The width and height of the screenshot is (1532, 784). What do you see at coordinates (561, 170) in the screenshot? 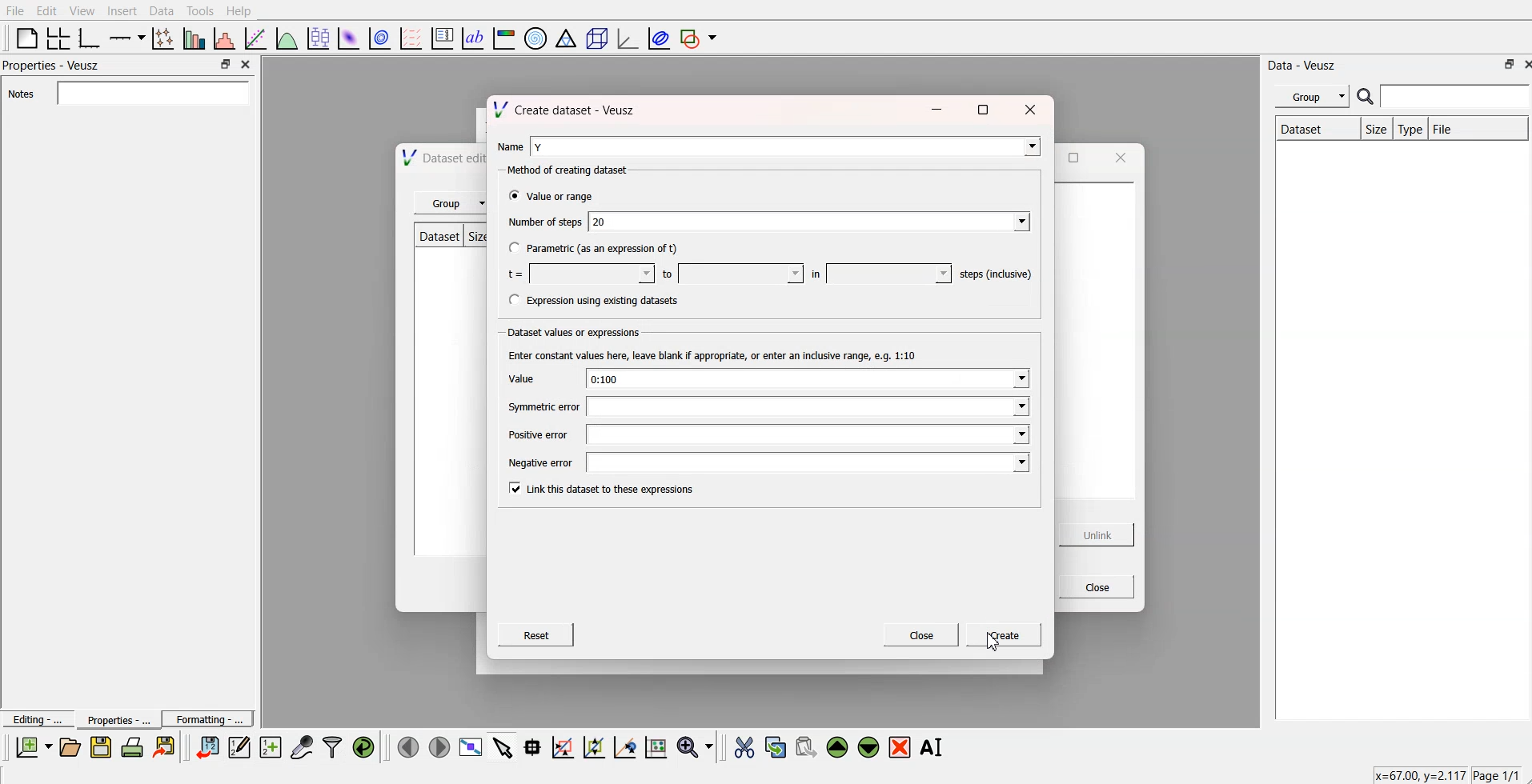
I see `Method of creating dataset` at bounding box center [561, 170].